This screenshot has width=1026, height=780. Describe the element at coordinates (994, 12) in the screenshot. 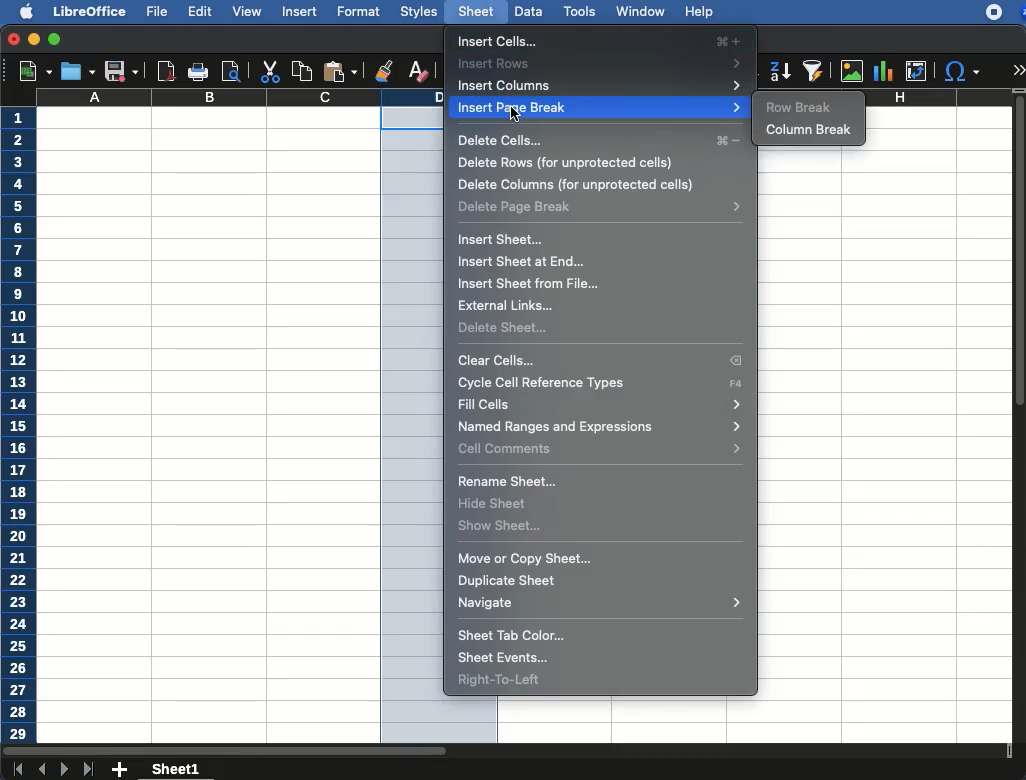

I see `recording - extension` at that location.